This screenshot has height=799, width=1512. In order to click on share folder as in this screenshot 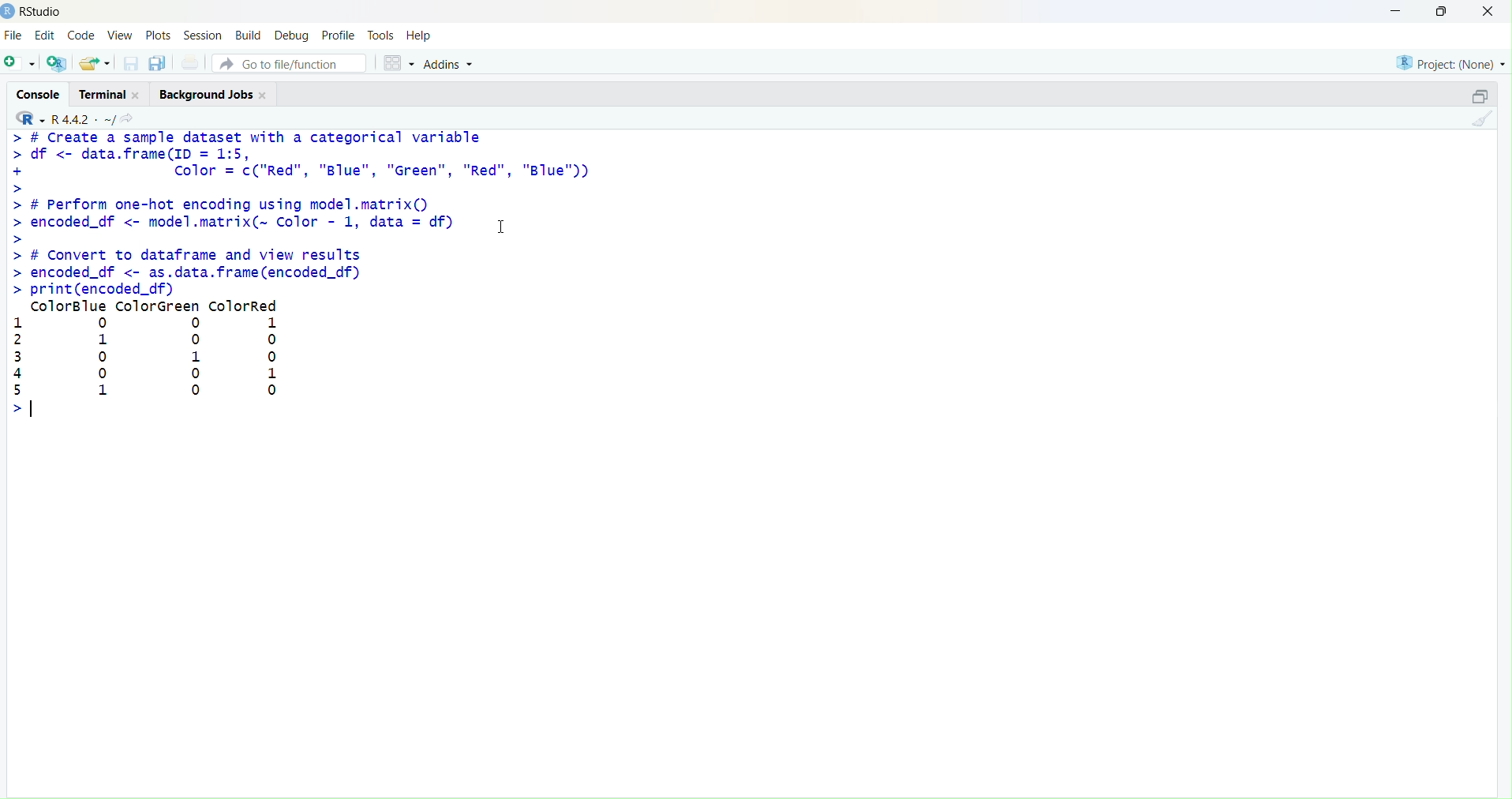, I will do `click(95, 63)`.